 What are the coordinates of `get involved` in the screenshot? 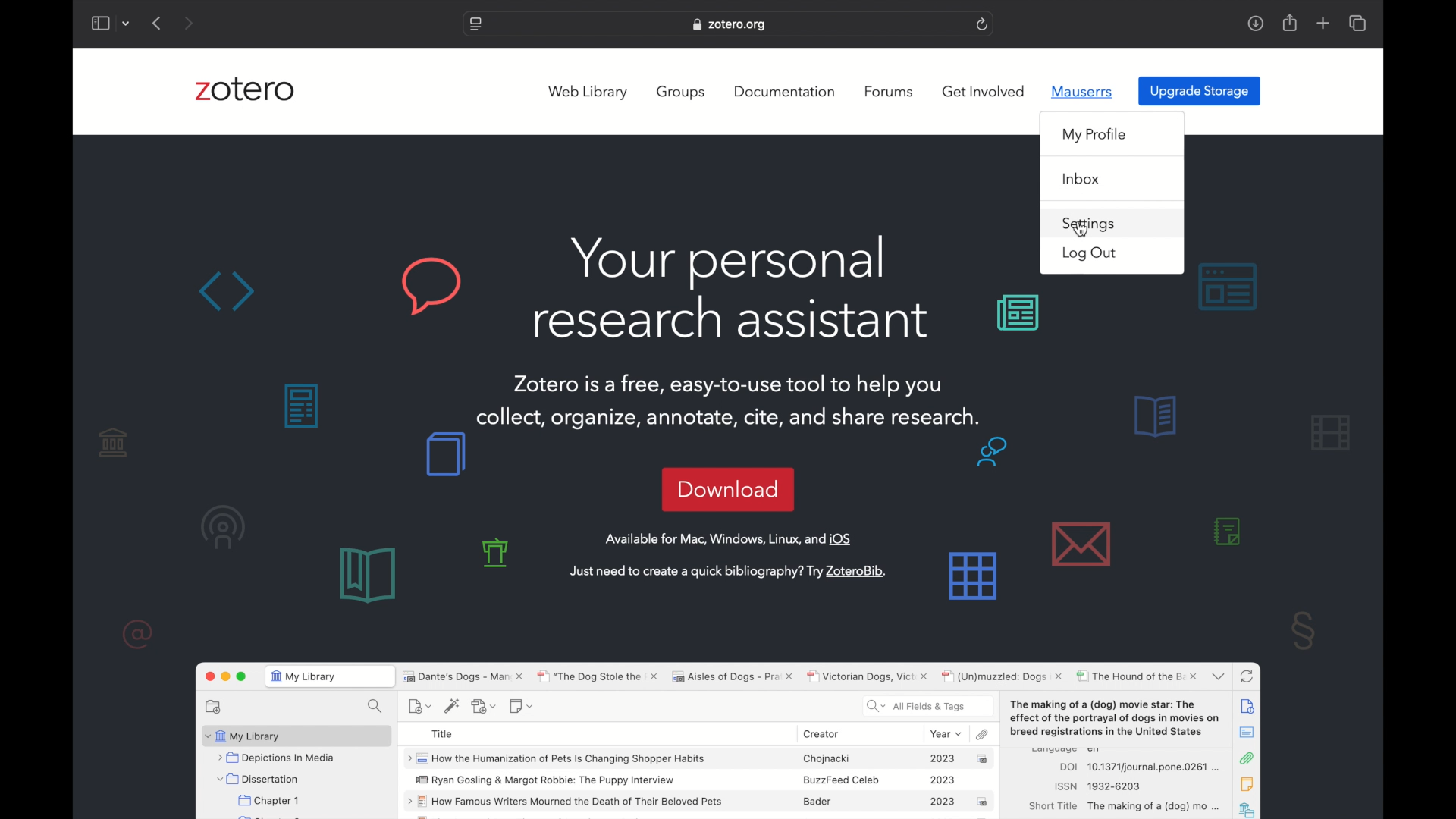 It's located at (984, 92).